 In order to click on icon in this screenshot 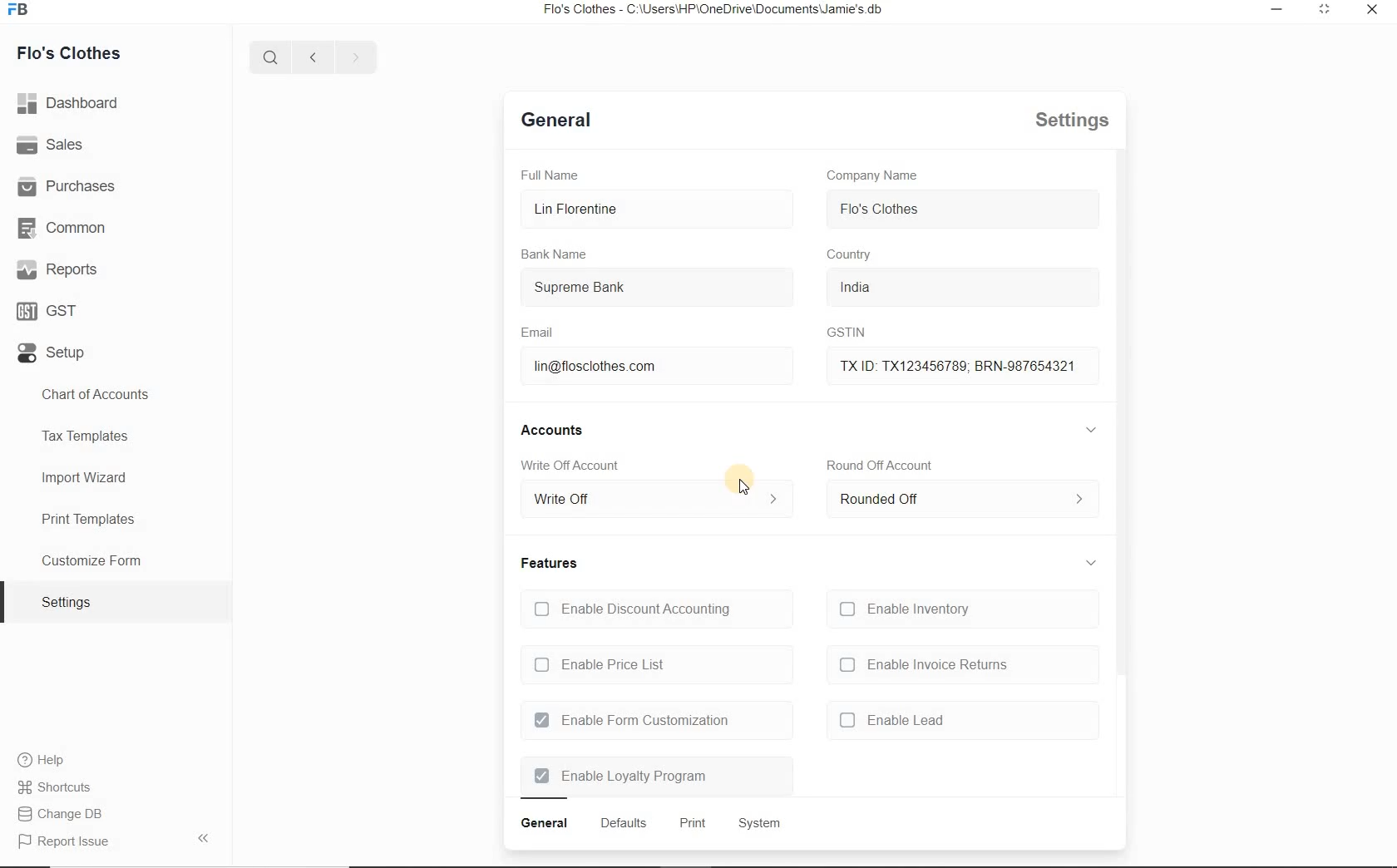, I will do `click(23, 14)`.